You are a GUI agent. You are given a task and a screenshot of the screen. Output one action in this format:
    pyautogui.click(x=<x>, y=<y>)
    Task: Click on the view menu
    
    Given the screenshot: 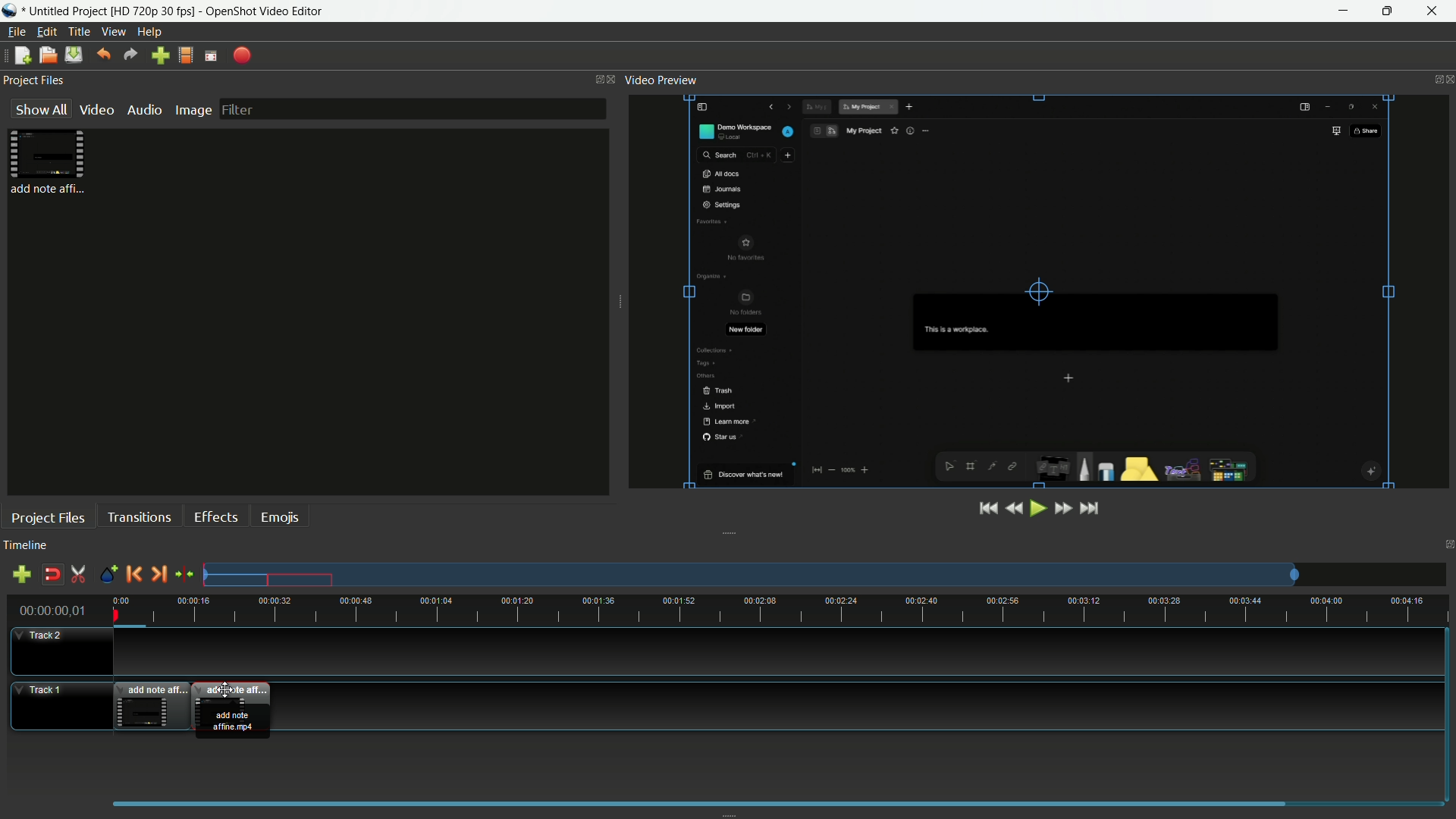 What is the action you would take?
    pyautogui.click(x=113, y=32)
    